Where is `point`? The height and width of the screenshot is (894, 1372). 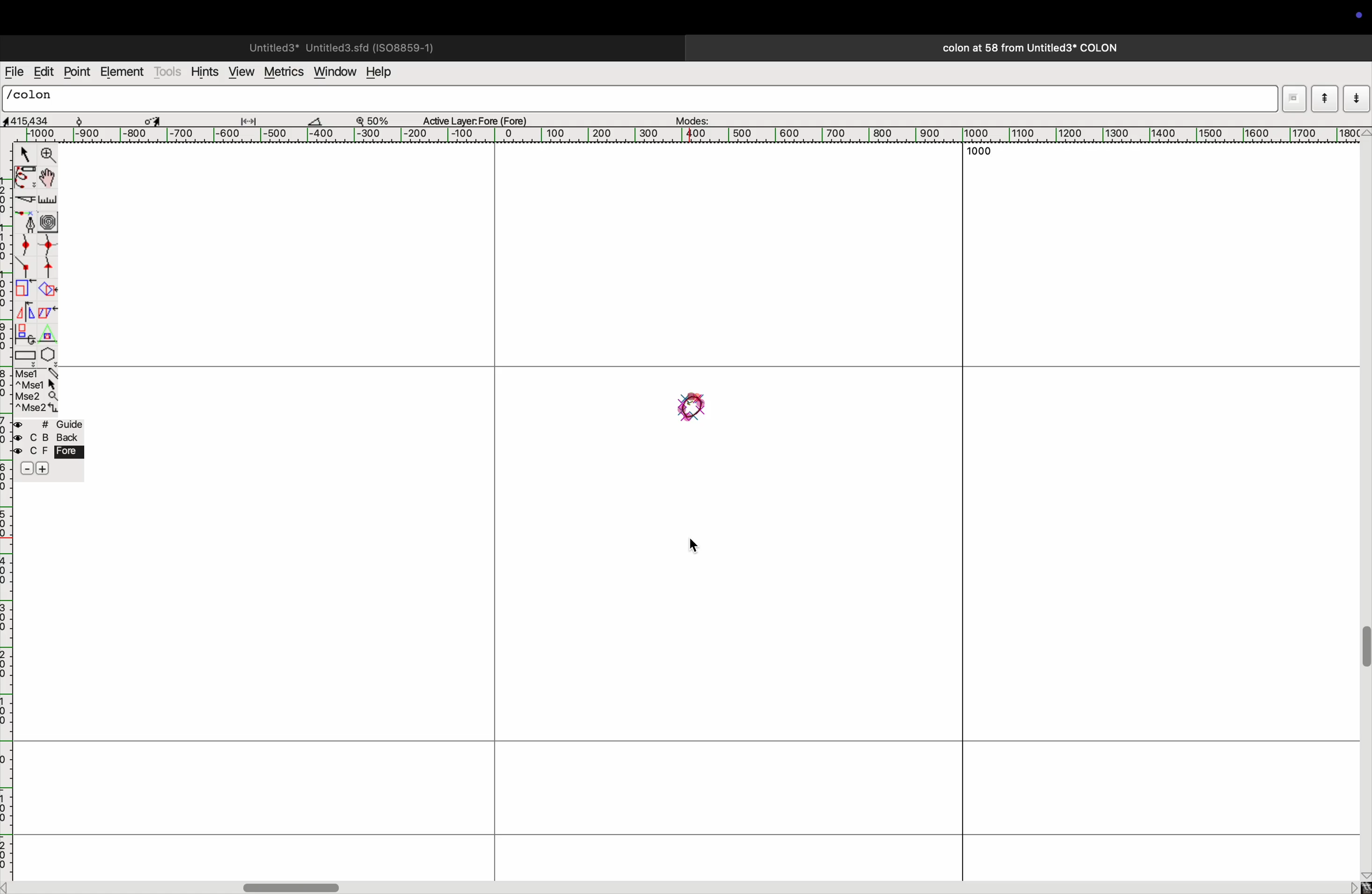 point is located at coordinates (79, 73).